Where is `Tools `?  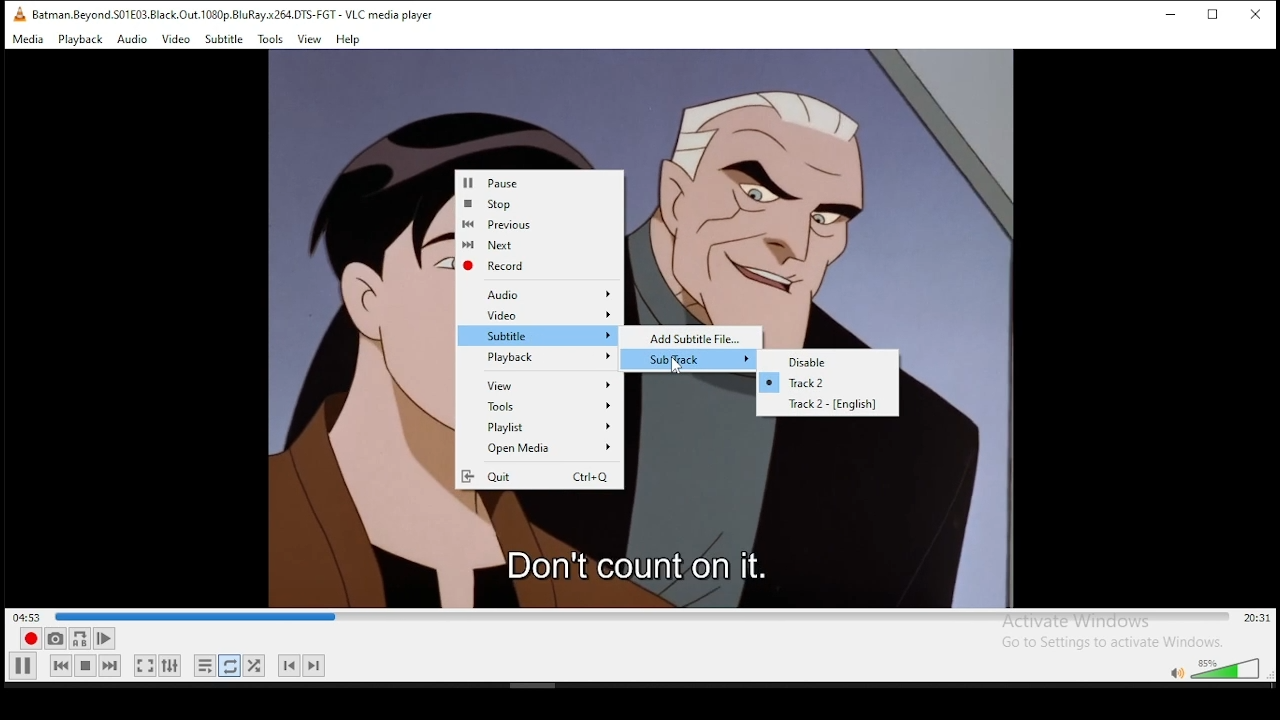
Tools  is located at coordinates (548, 408).